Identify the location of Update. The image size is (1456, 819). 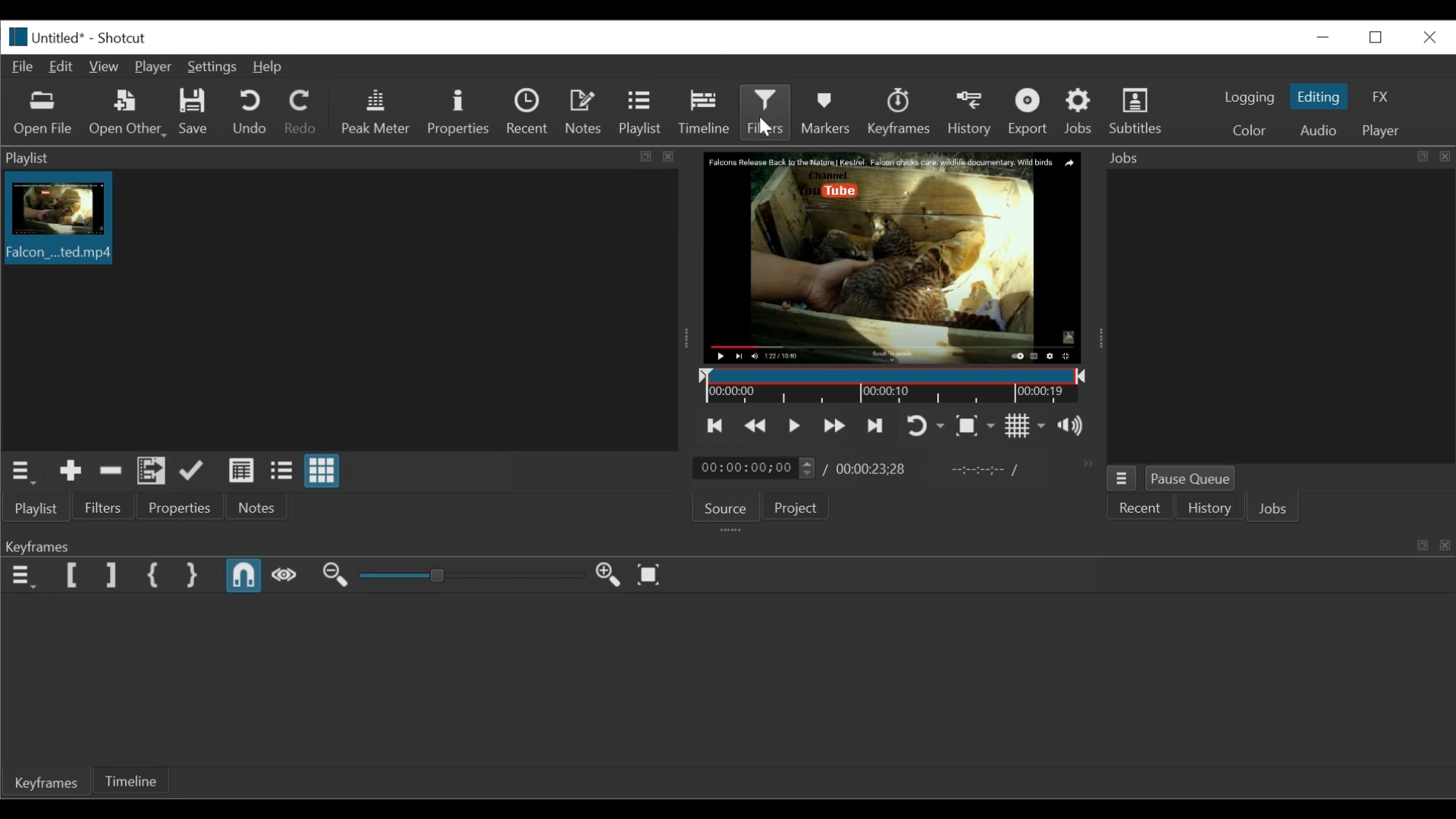
(193, 470).